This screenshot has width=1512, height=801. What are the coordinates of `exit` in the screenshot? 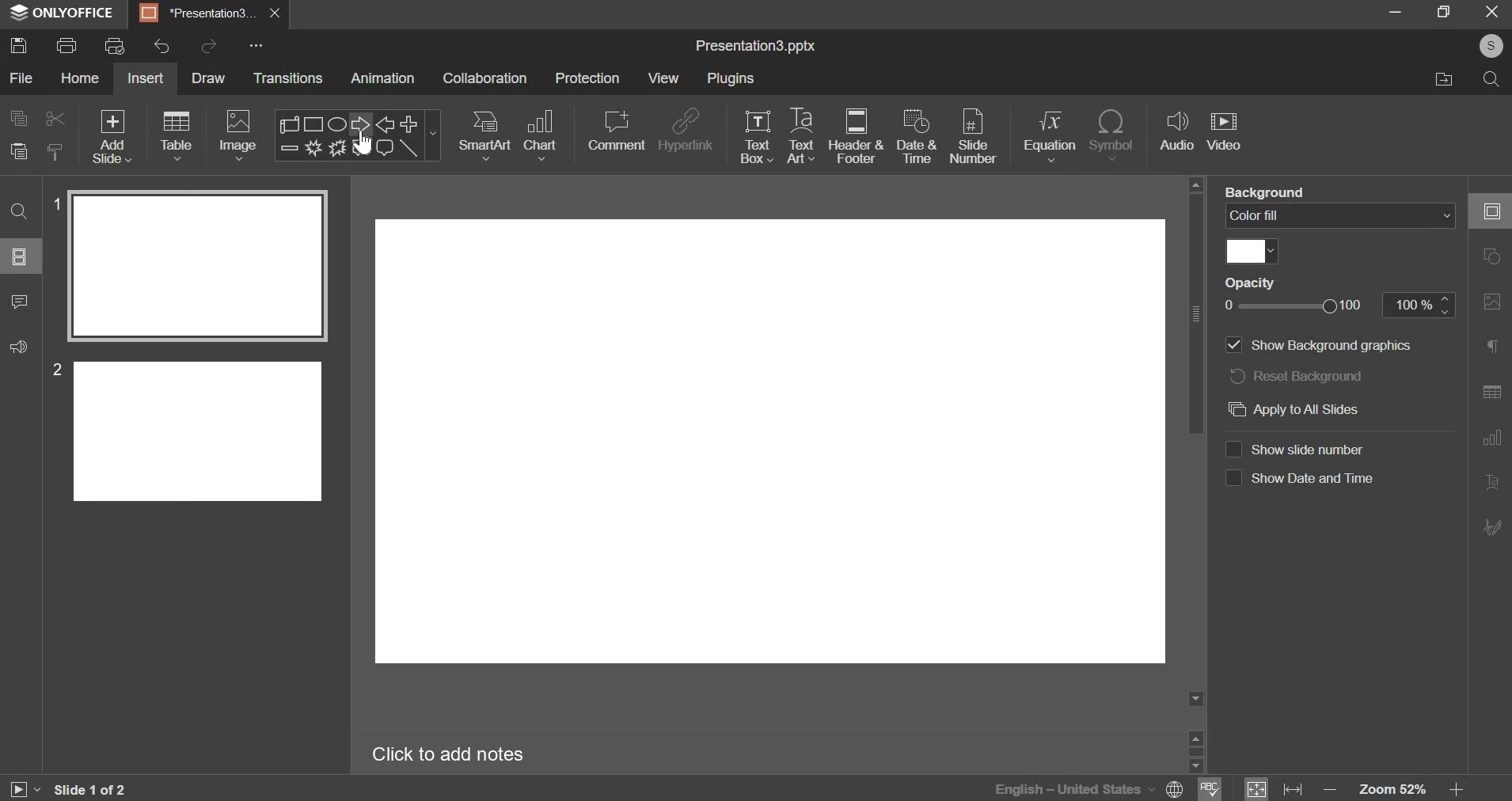 It's located at (1494, 12).